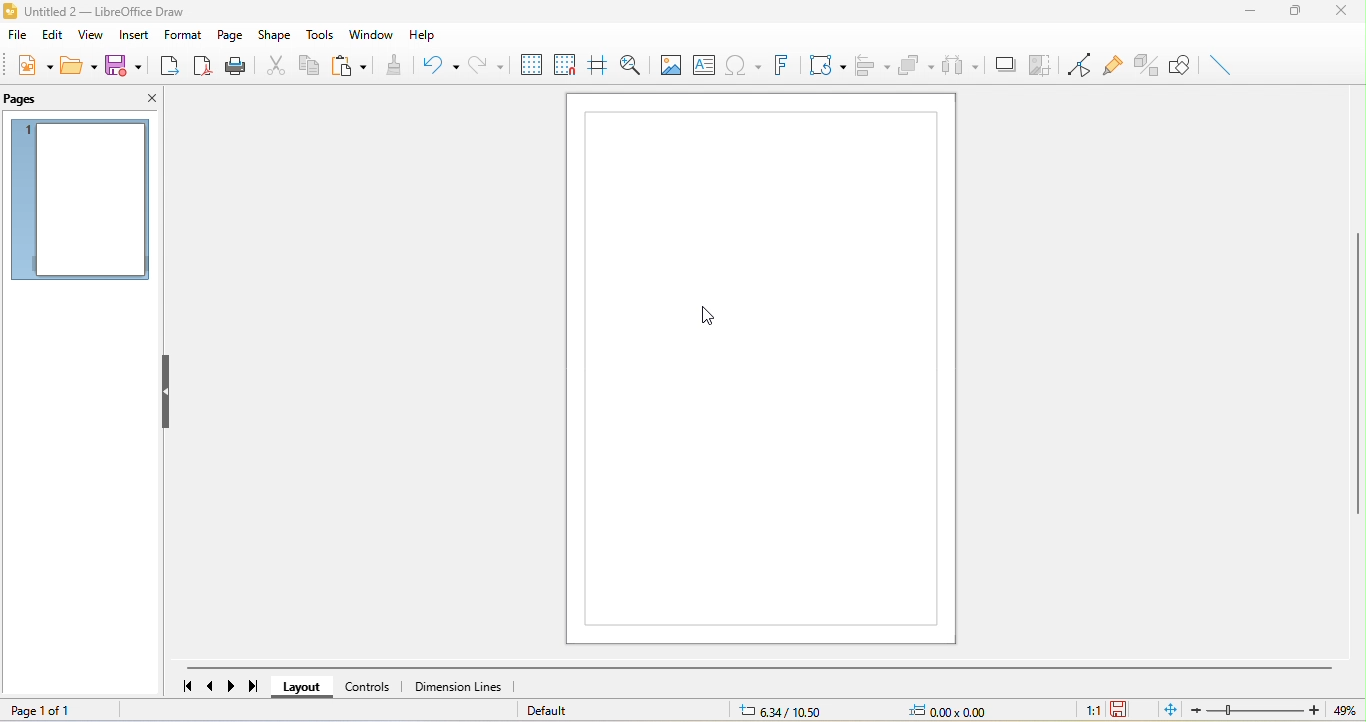 This screenshot has width=1366, height=722. Describe the element at coordinates (1075, 63) in the screenshot. I see `toggle point edit mode` at that location.